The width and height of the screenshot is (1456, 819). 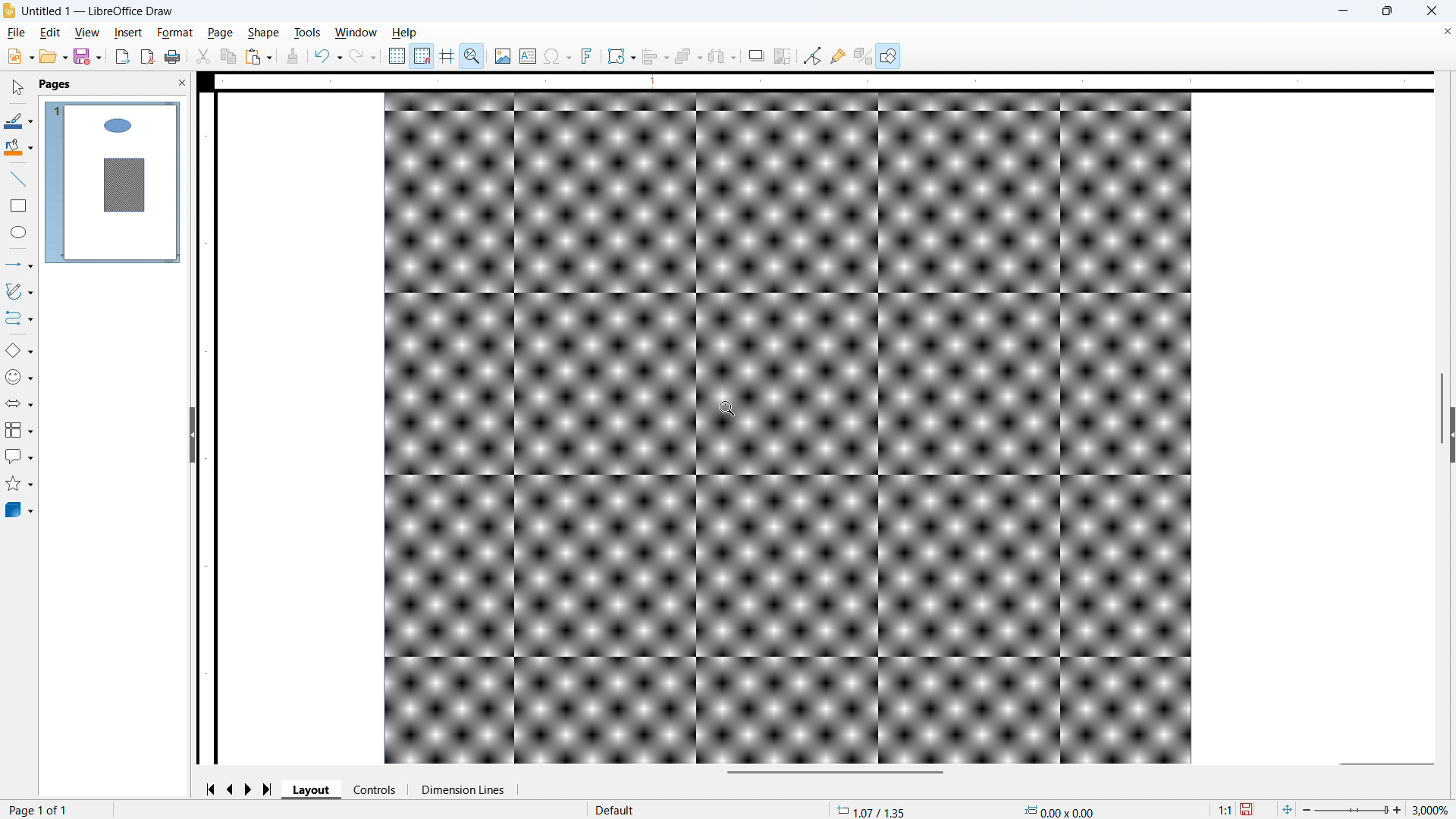 What do you see at coordinates (473, 55) in the screenshot?
I see `Zoom ` at bounding box center [473, 55].